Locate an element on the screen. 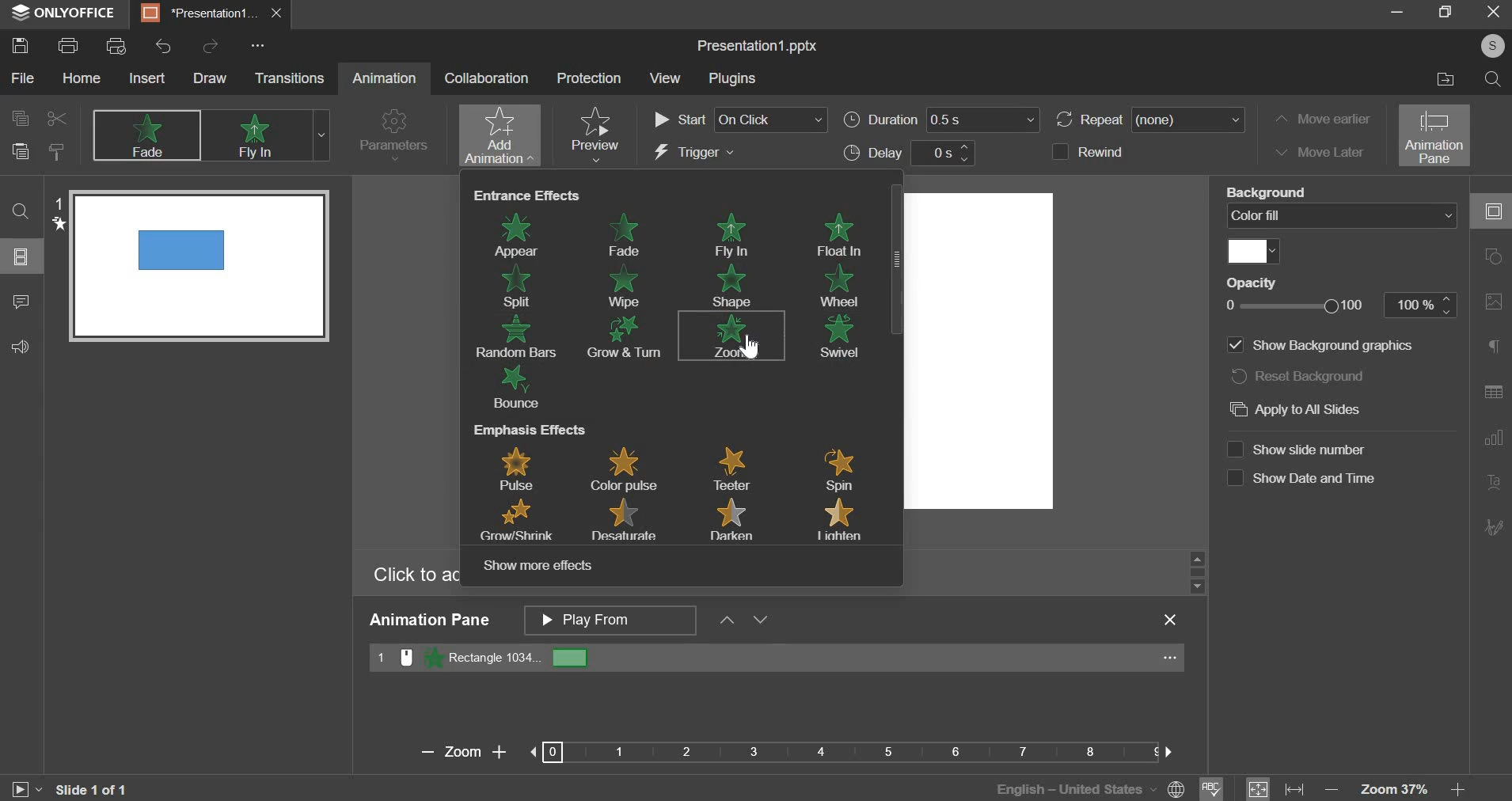 The image size is (1512, 801). parameters is located at coordinates (396, 133).